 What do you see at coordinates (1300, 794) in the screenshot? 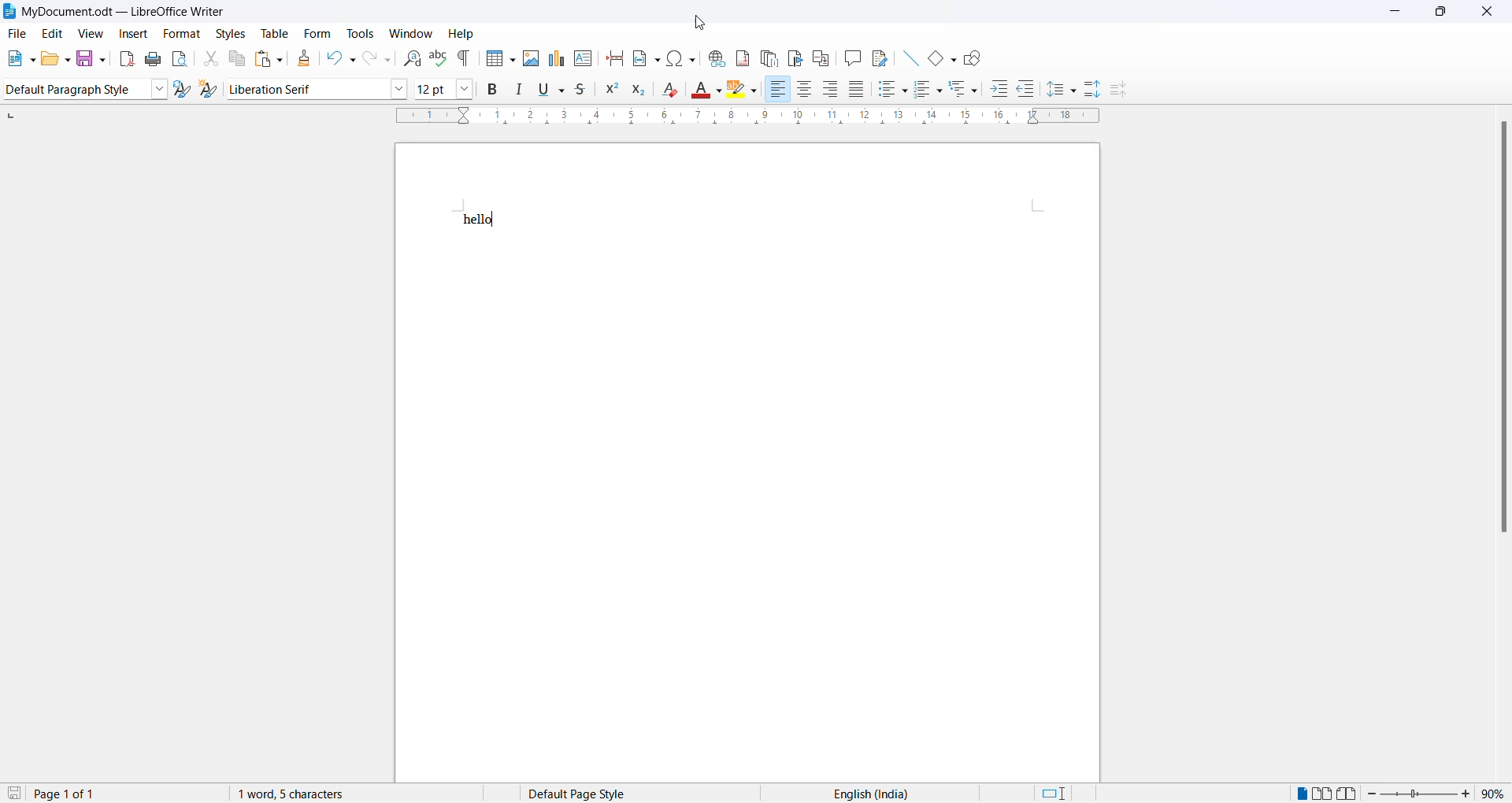
I see `Single page view` at bounding box center [1300, 794].